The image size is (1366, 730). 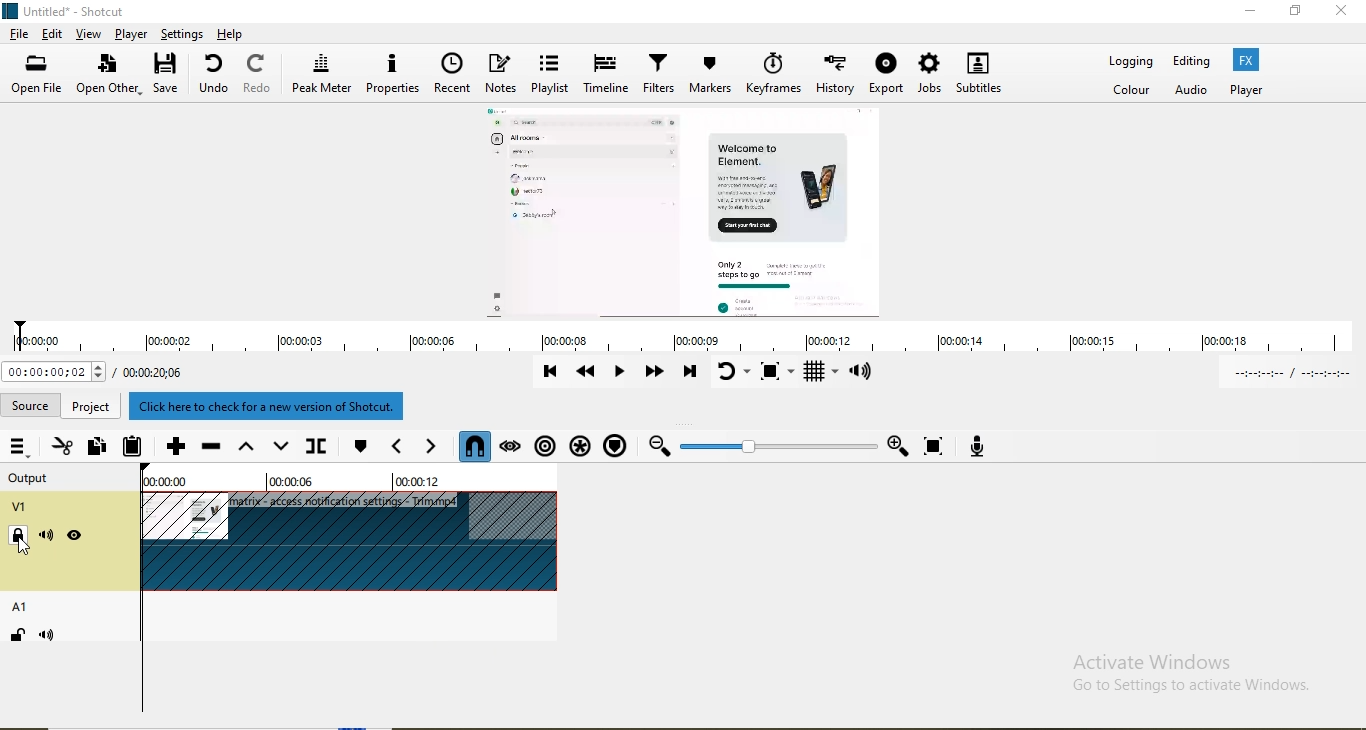 I want to click on Audio, so click(x=1188, y=90).